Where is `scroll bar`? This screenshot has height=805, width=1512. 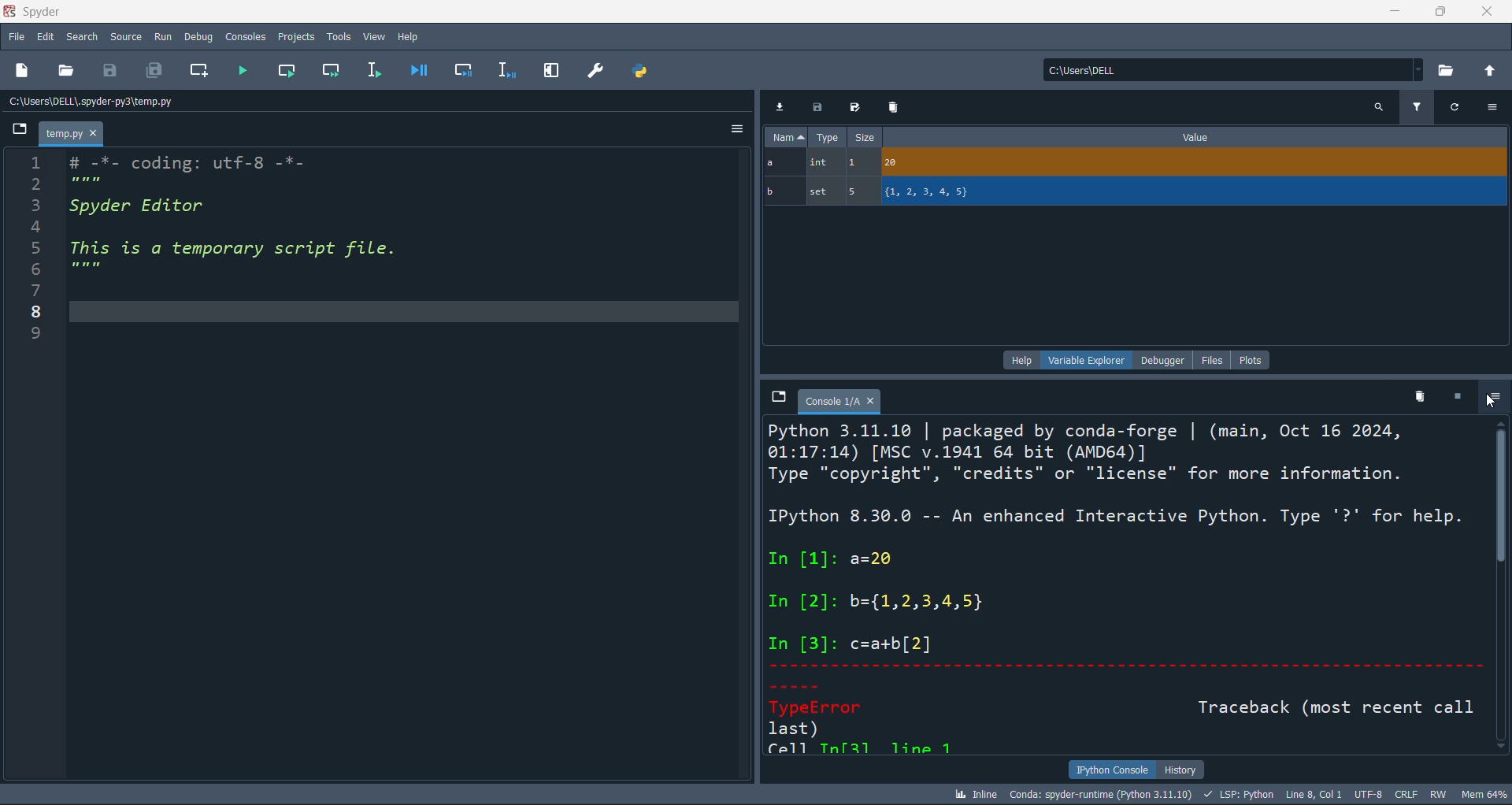 scroll bar is located at coordinates (1503, 588).